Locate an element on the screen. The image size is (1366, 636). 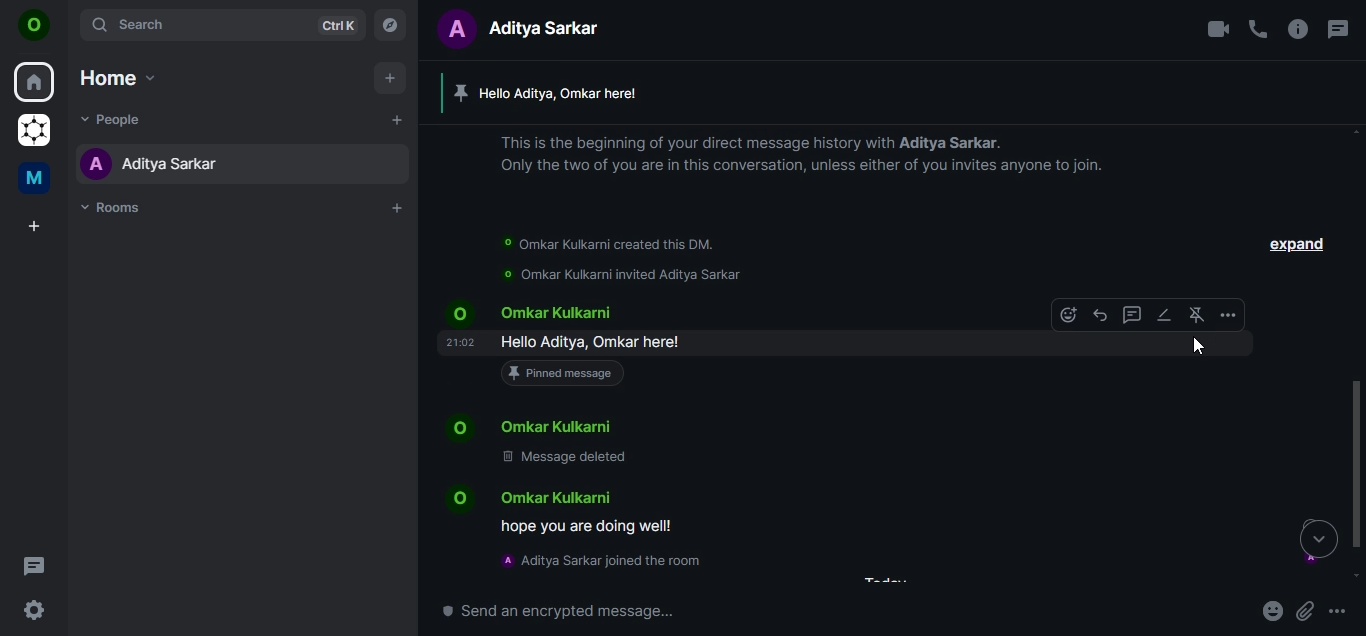
more options is located at coordinates (1337, 611).